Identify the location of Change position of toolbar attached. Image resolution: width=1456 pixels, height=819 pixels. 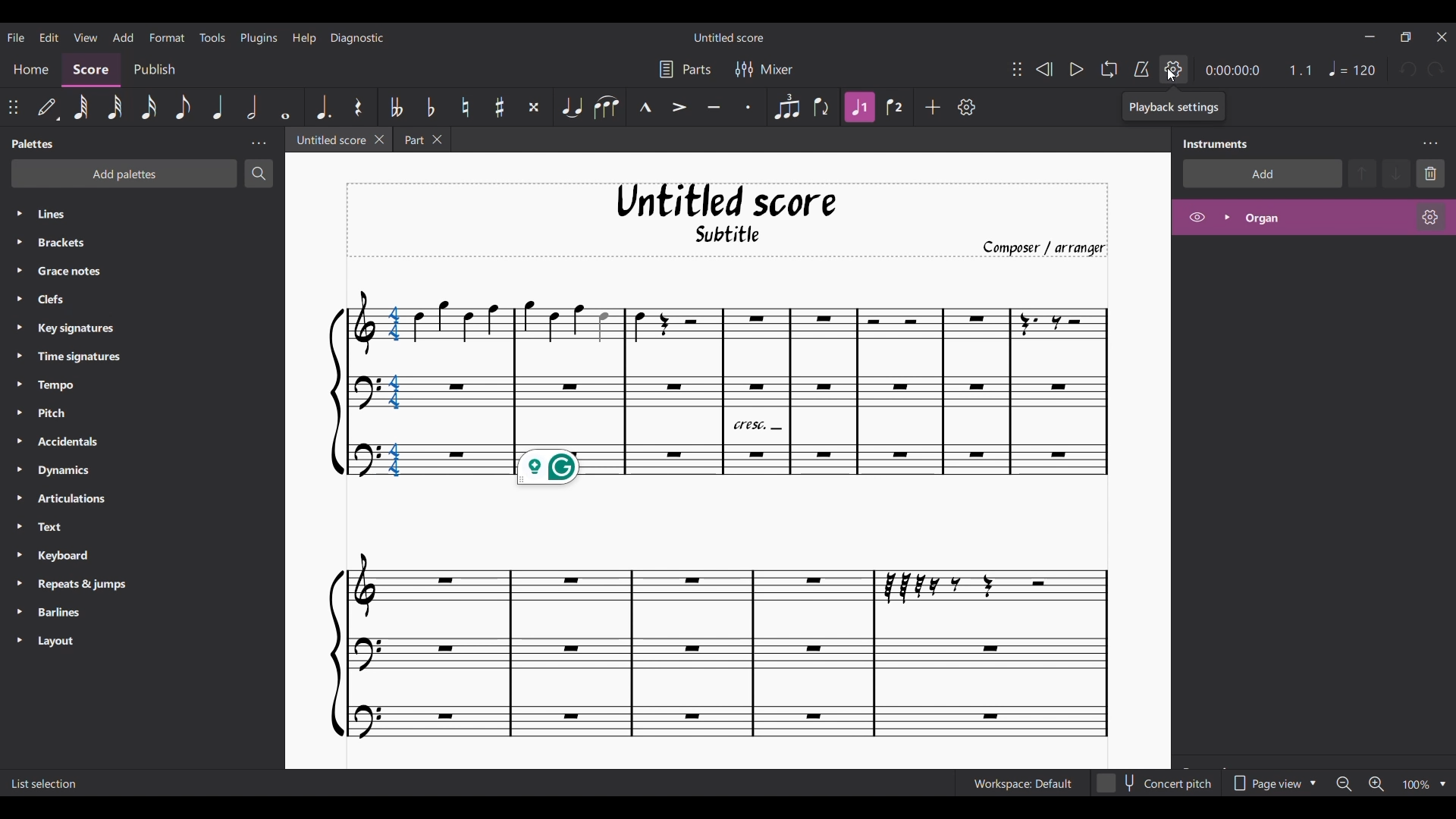
(13, 107).